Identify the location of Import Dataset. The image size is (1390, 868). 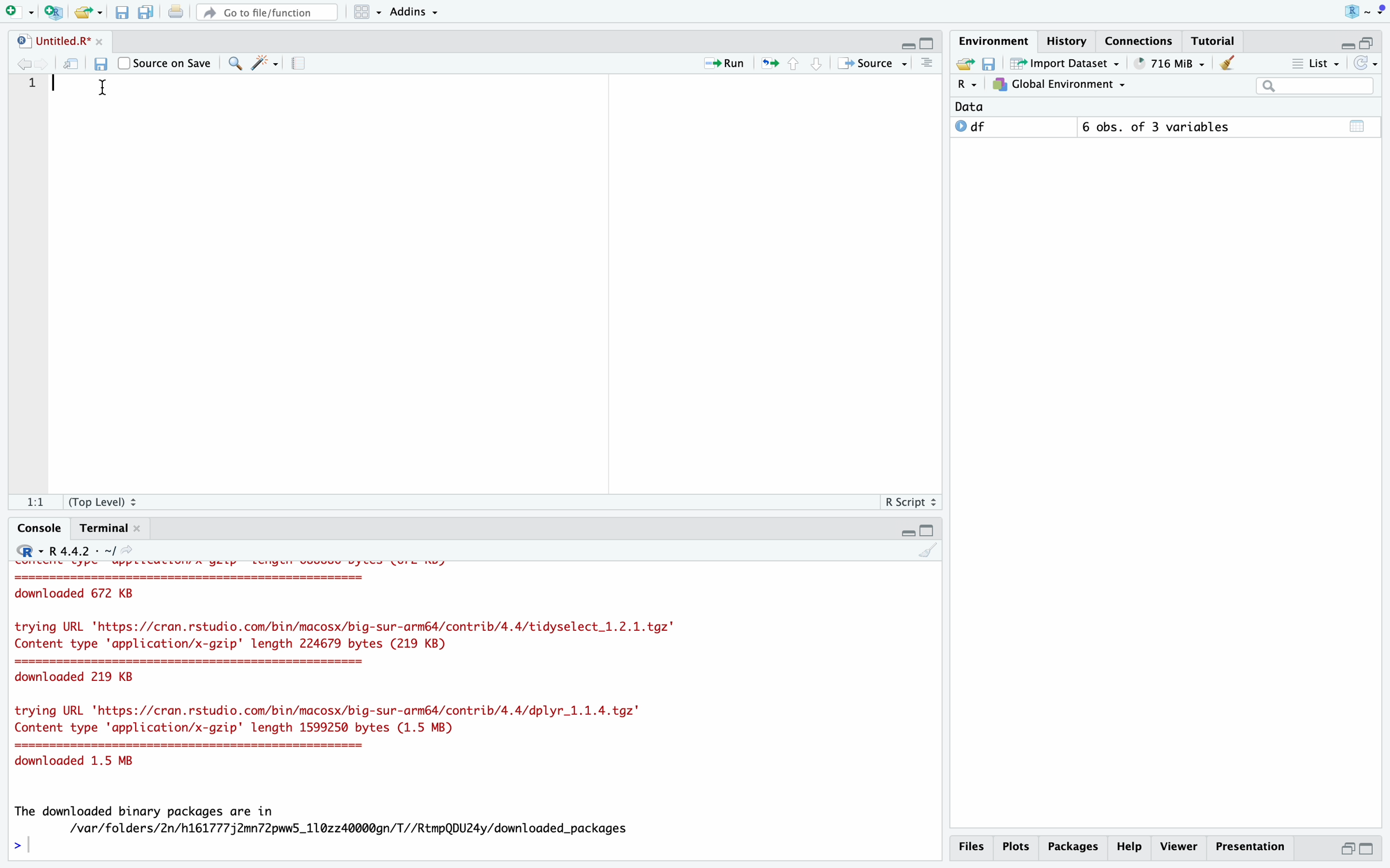
(1067, 63).